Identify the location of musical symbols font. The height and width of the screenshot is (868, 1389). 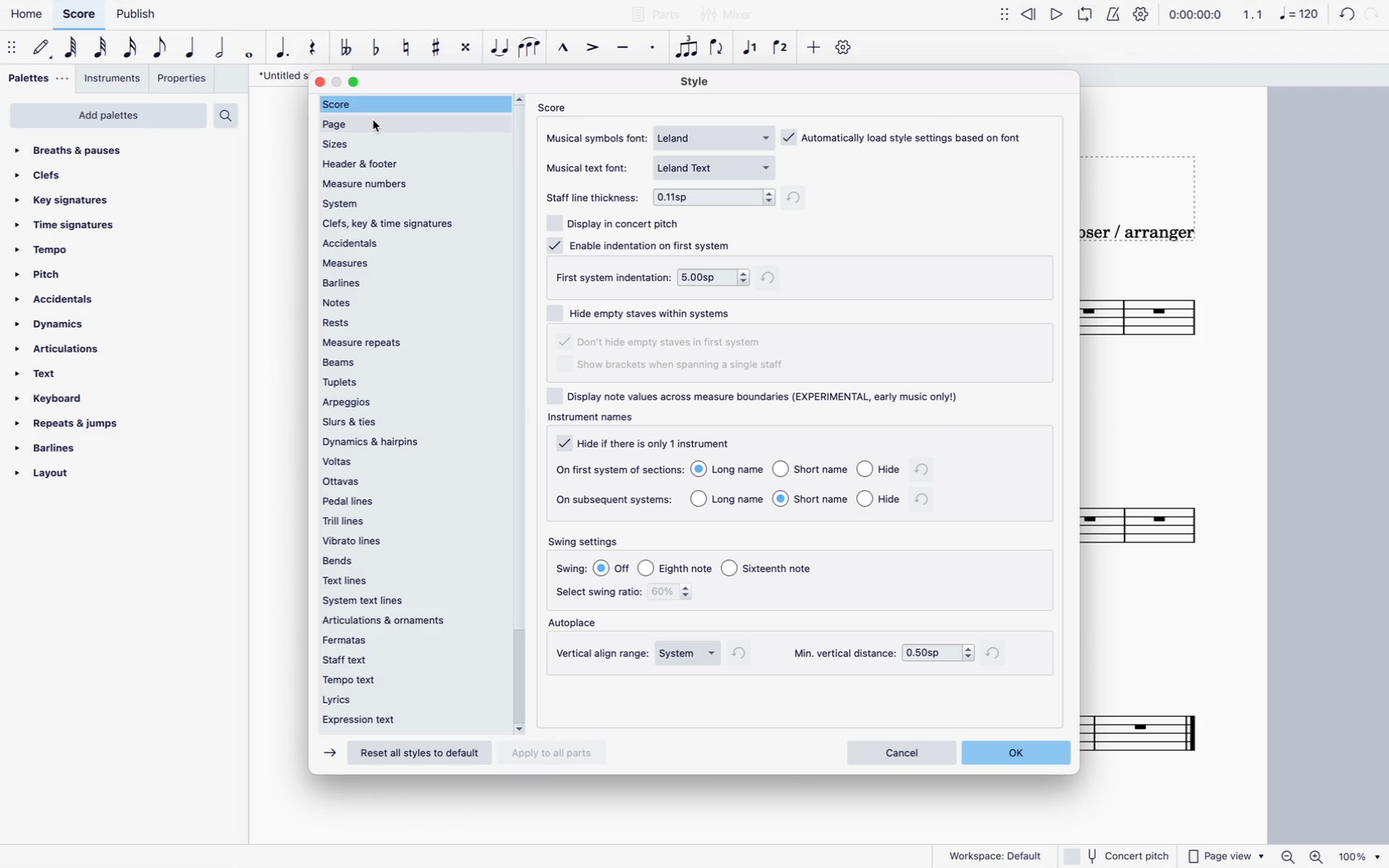
(597, 140).